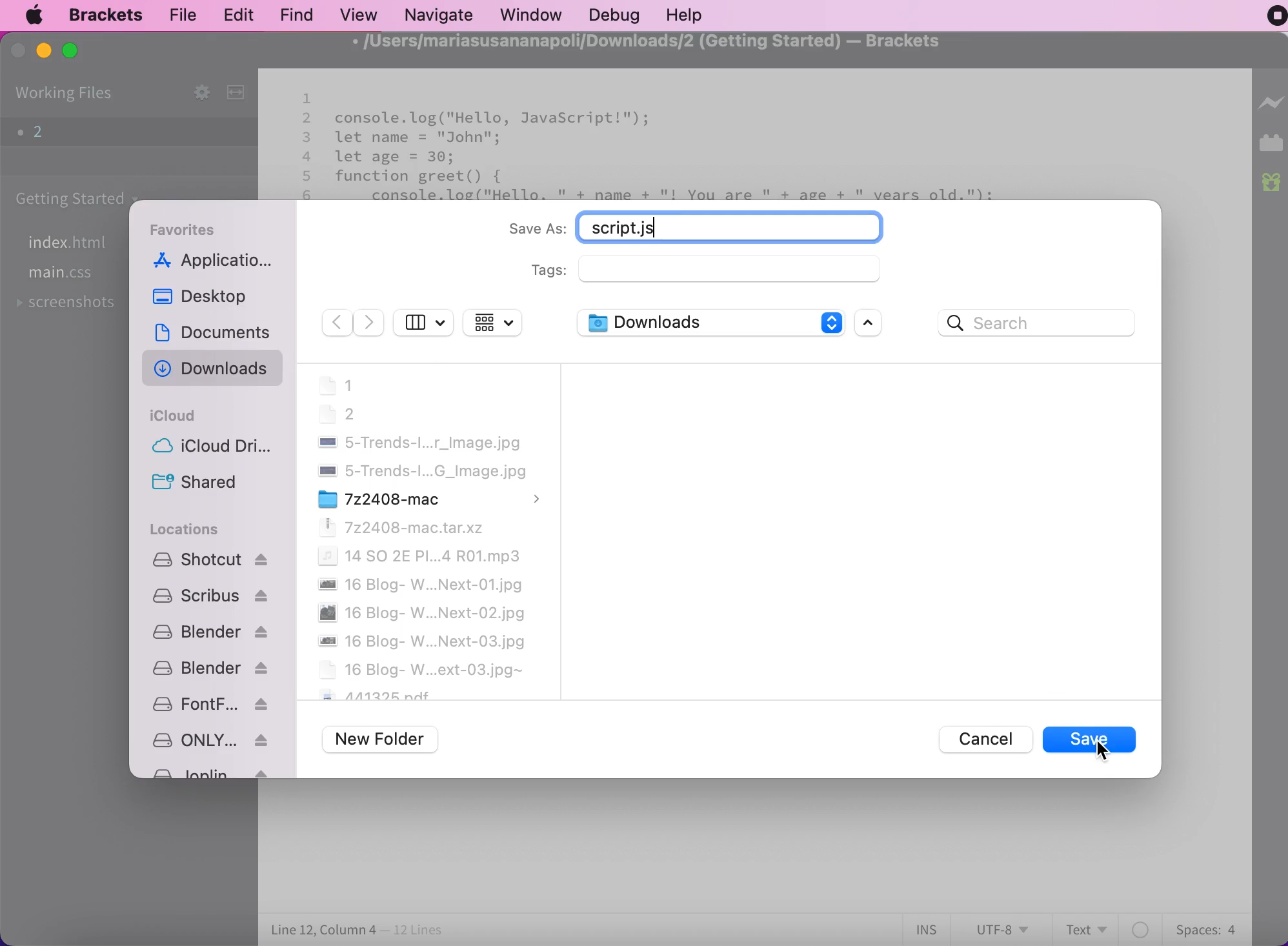 Image resolution: width=1288 pixels, height=946 pixels. I want to click on applications, so click(215, 263).